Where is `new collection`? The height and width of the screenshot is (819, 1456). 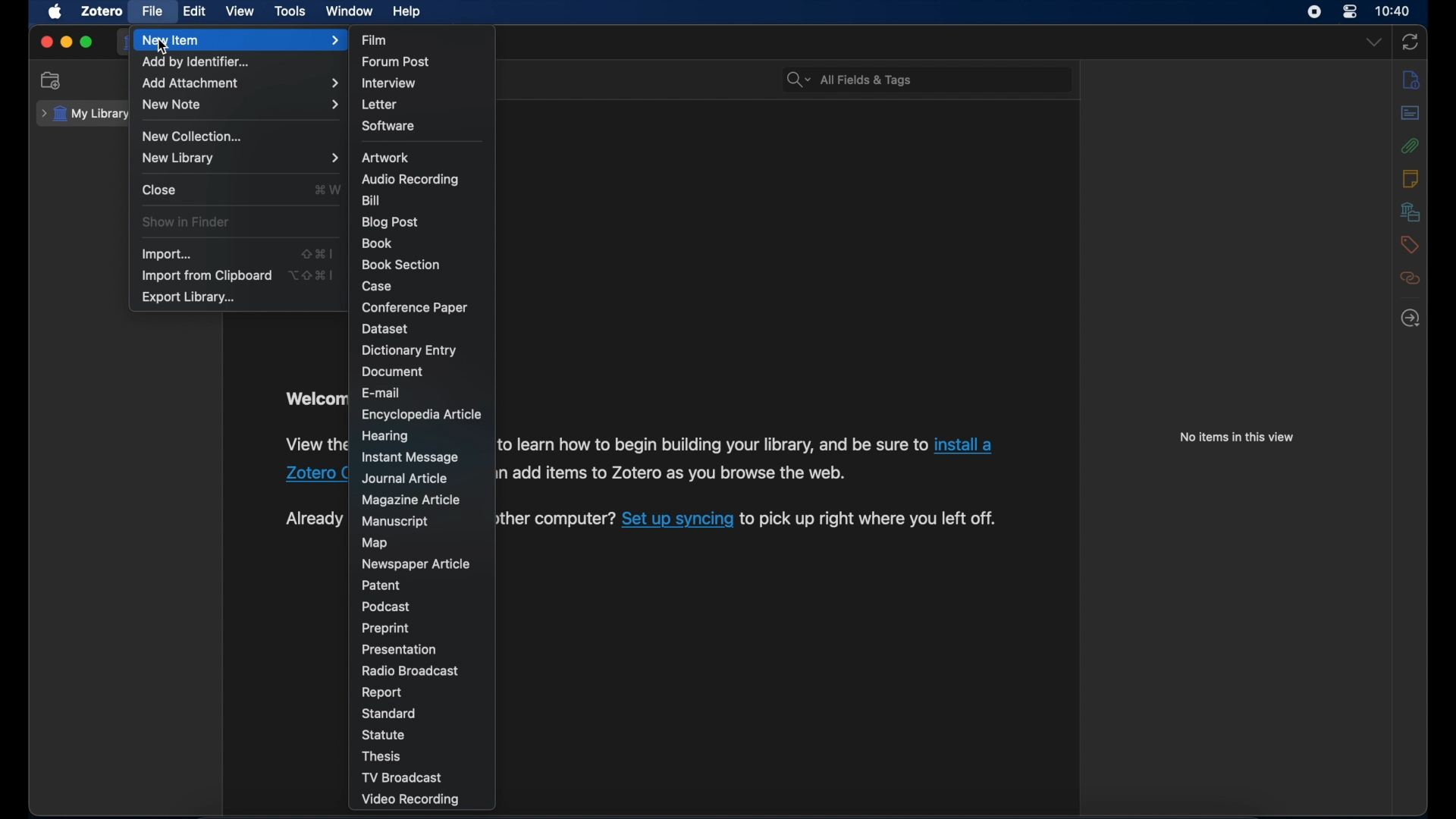 new collection is located at coordinates (53, 80).